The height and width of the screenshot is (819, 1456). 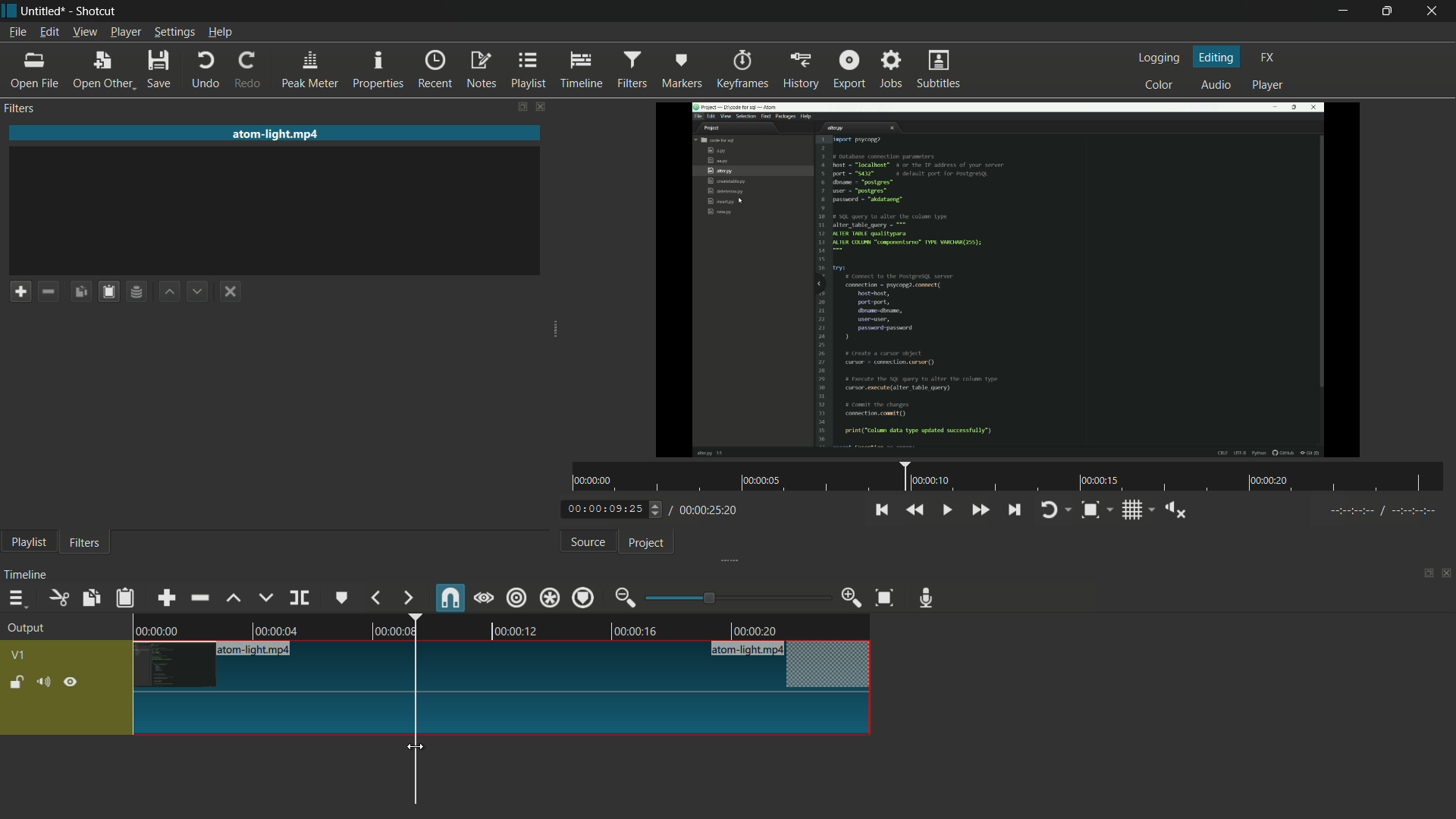 I want to click on color, so click(x=1159, y=83).